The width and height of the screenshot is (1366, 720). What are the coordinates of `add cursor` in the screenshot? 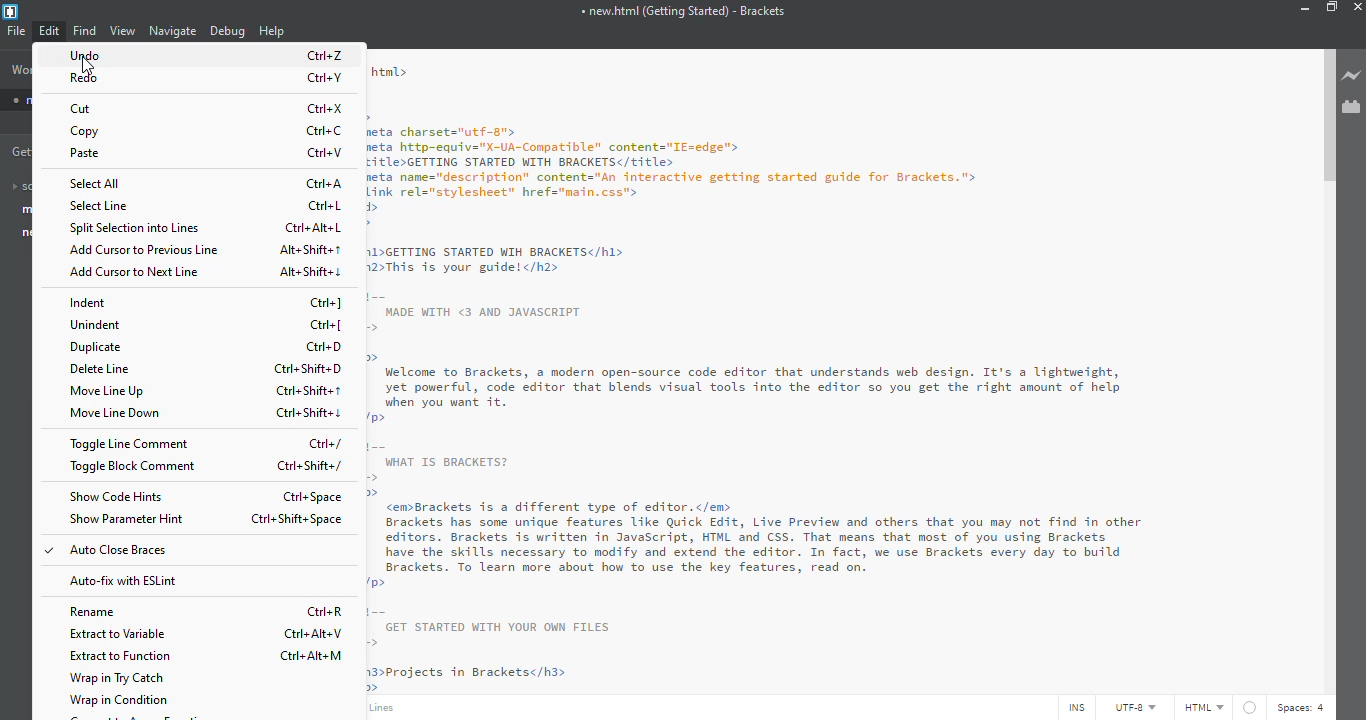 It's located at (148, 250).